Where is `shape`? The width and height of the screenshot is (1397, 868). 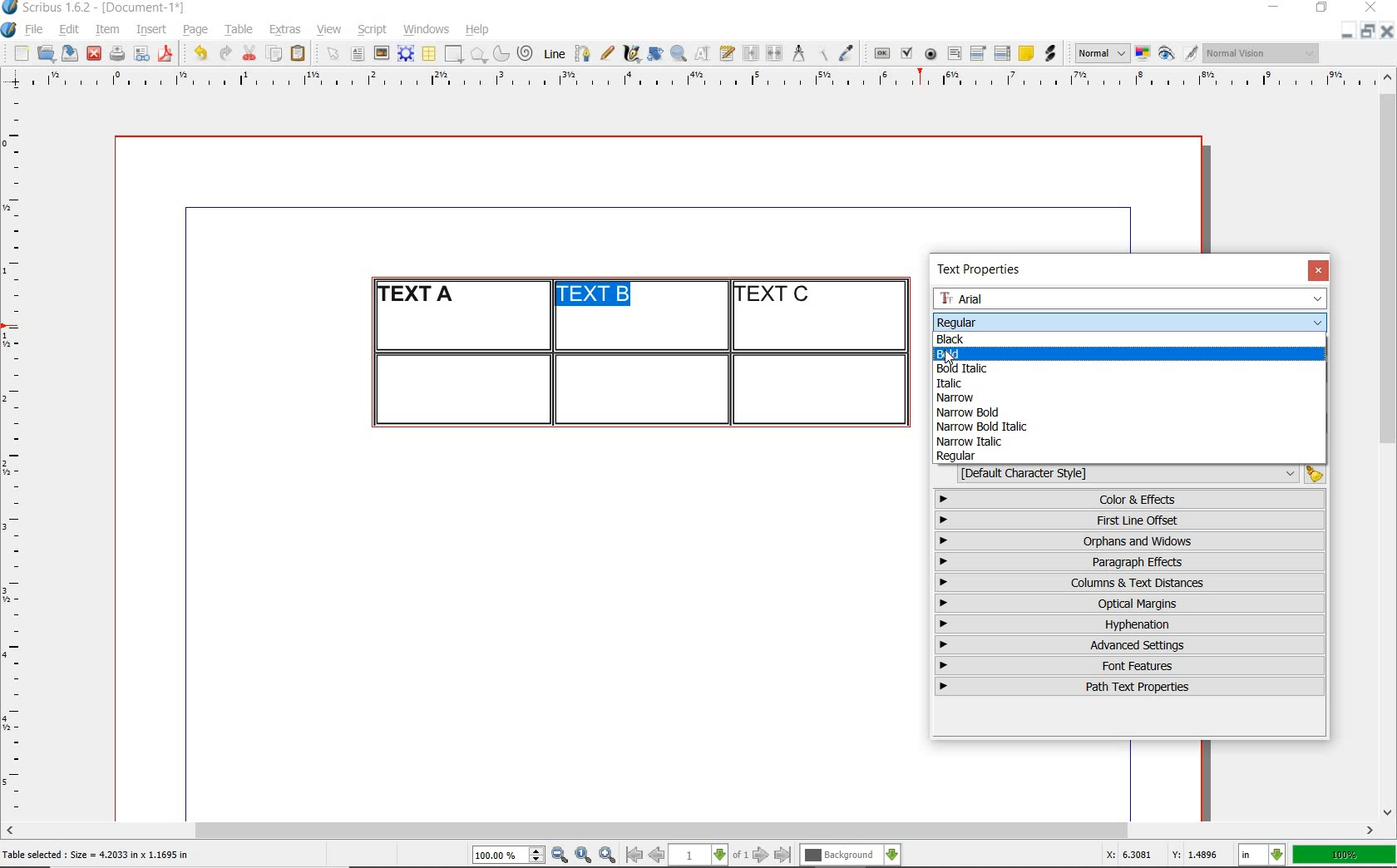 shape is located at coordinates (456, 55).